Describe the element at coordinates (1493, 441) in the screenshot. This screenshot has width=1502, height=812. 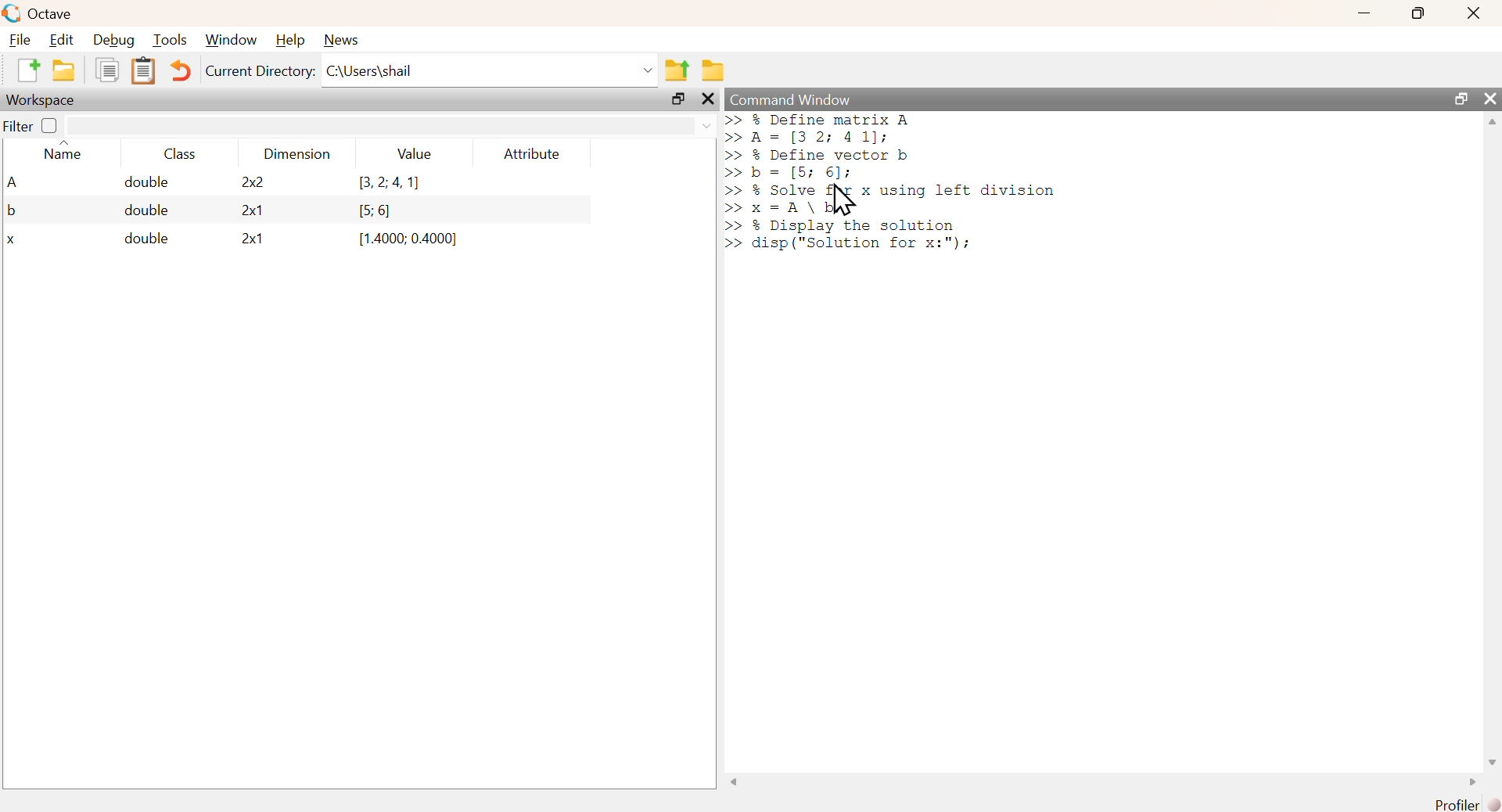
I see `scrollbar` at that location.